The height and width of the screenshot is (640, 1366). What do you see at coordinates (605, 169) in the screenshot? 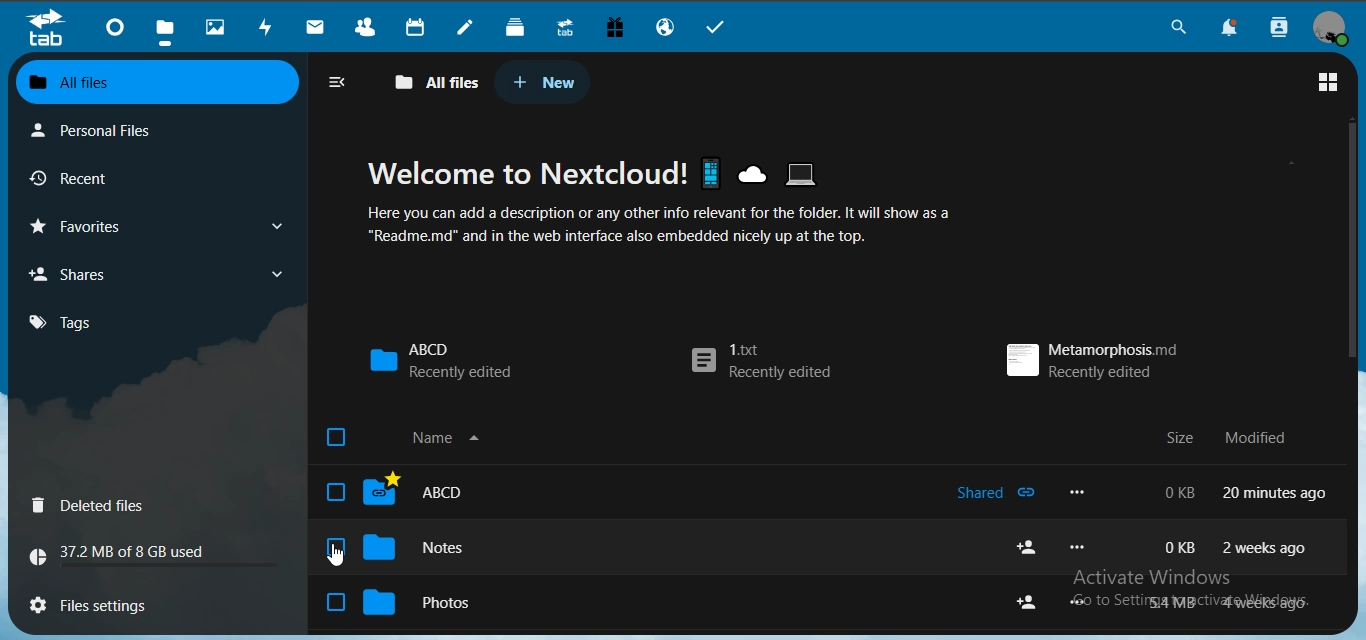
I see `Welcome to Nextcloud!` at bounding box center [605, 169].